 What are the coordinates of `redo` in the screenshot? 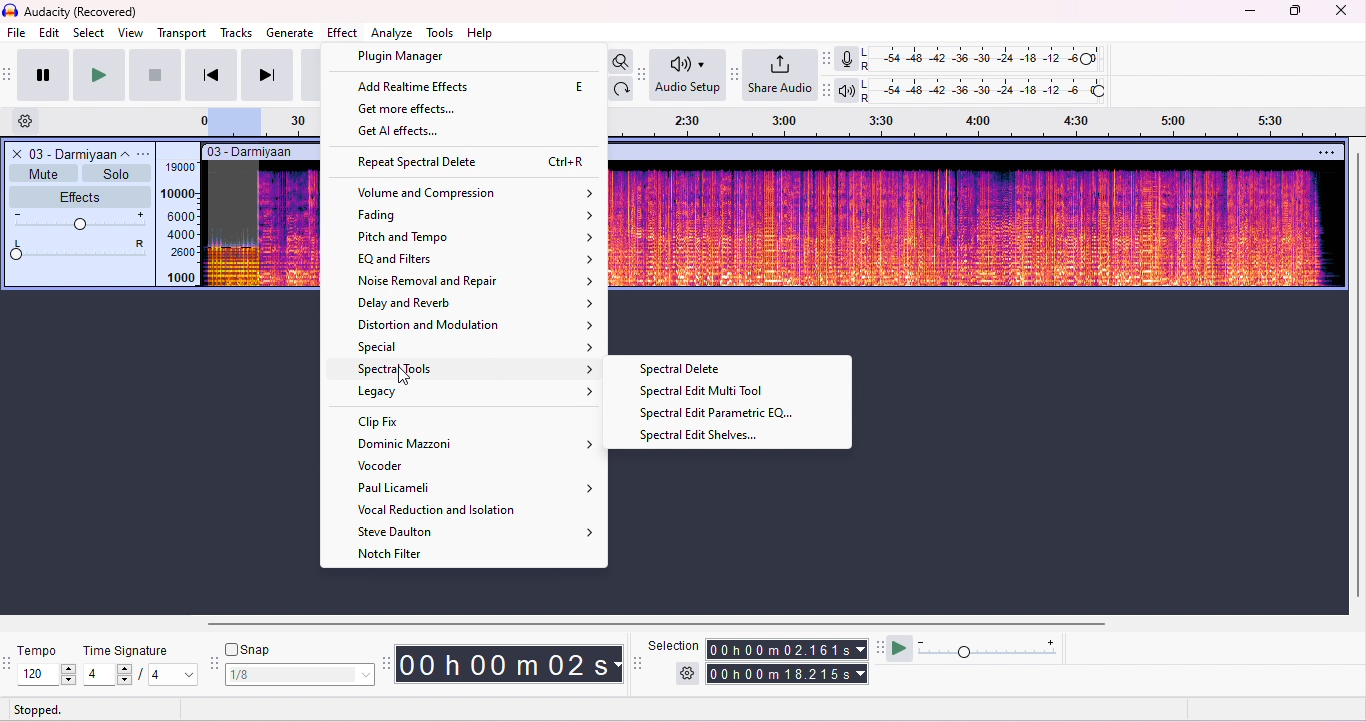 It's located at (623, 89).